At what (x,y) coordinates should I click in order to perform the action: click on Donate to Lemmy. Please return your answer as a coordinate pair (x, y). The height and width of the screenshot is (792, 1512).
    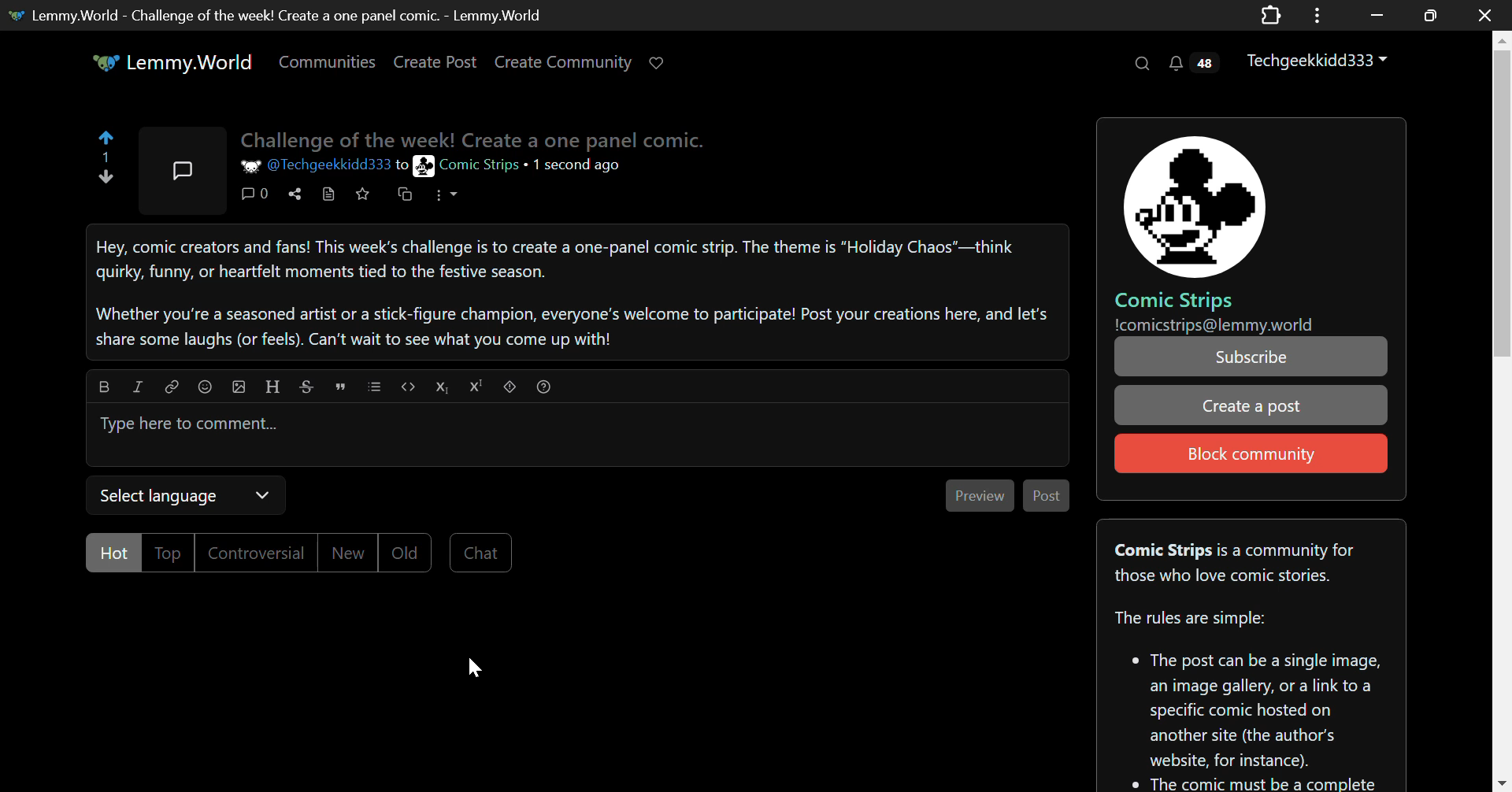
    Looking at the image, I should click on (658, 63).